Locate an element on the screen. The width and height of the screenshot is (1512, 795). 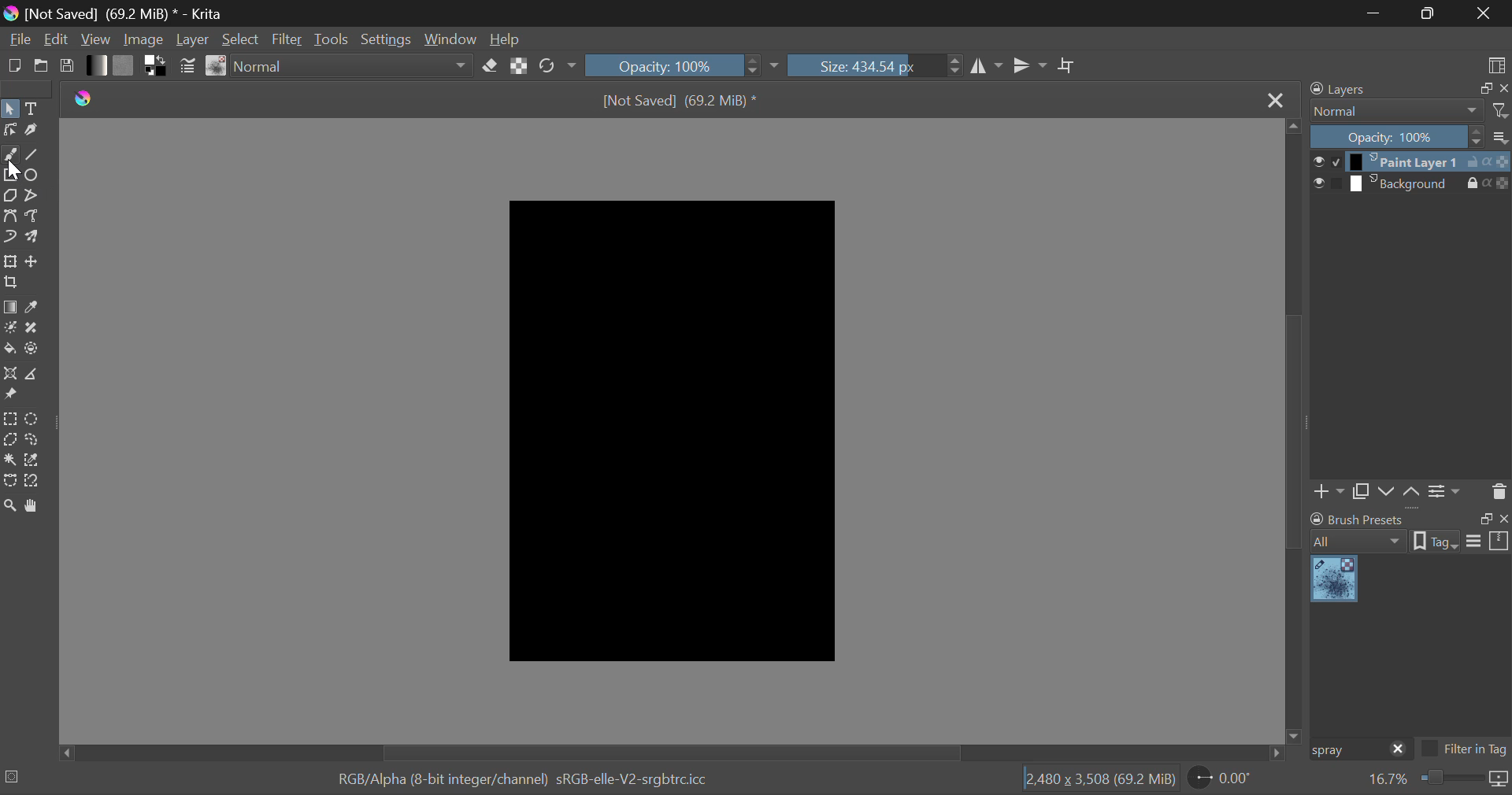
Open is located at coordinates (42, 65).